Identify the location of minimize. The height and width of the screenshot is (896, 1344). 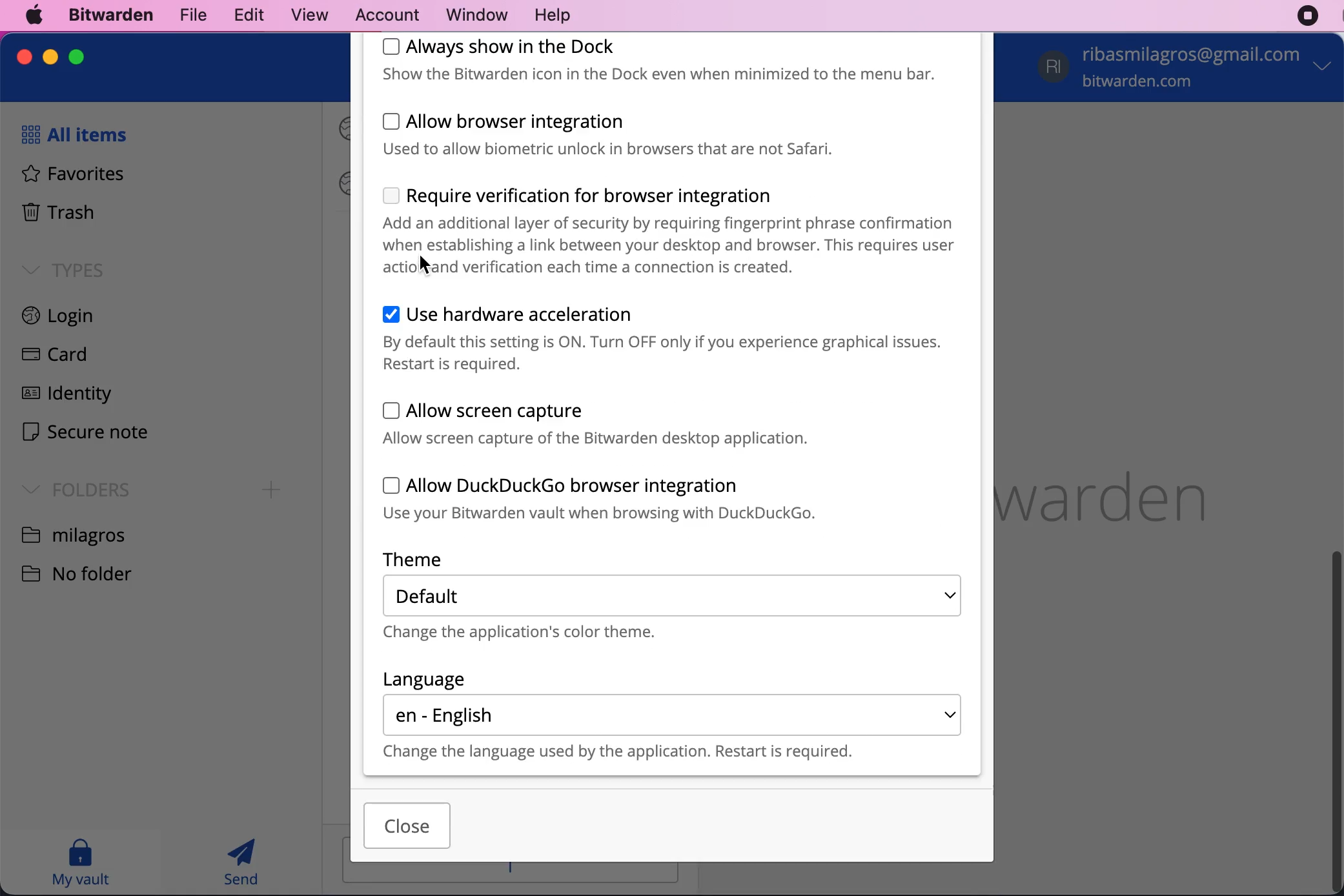
(50, 57).